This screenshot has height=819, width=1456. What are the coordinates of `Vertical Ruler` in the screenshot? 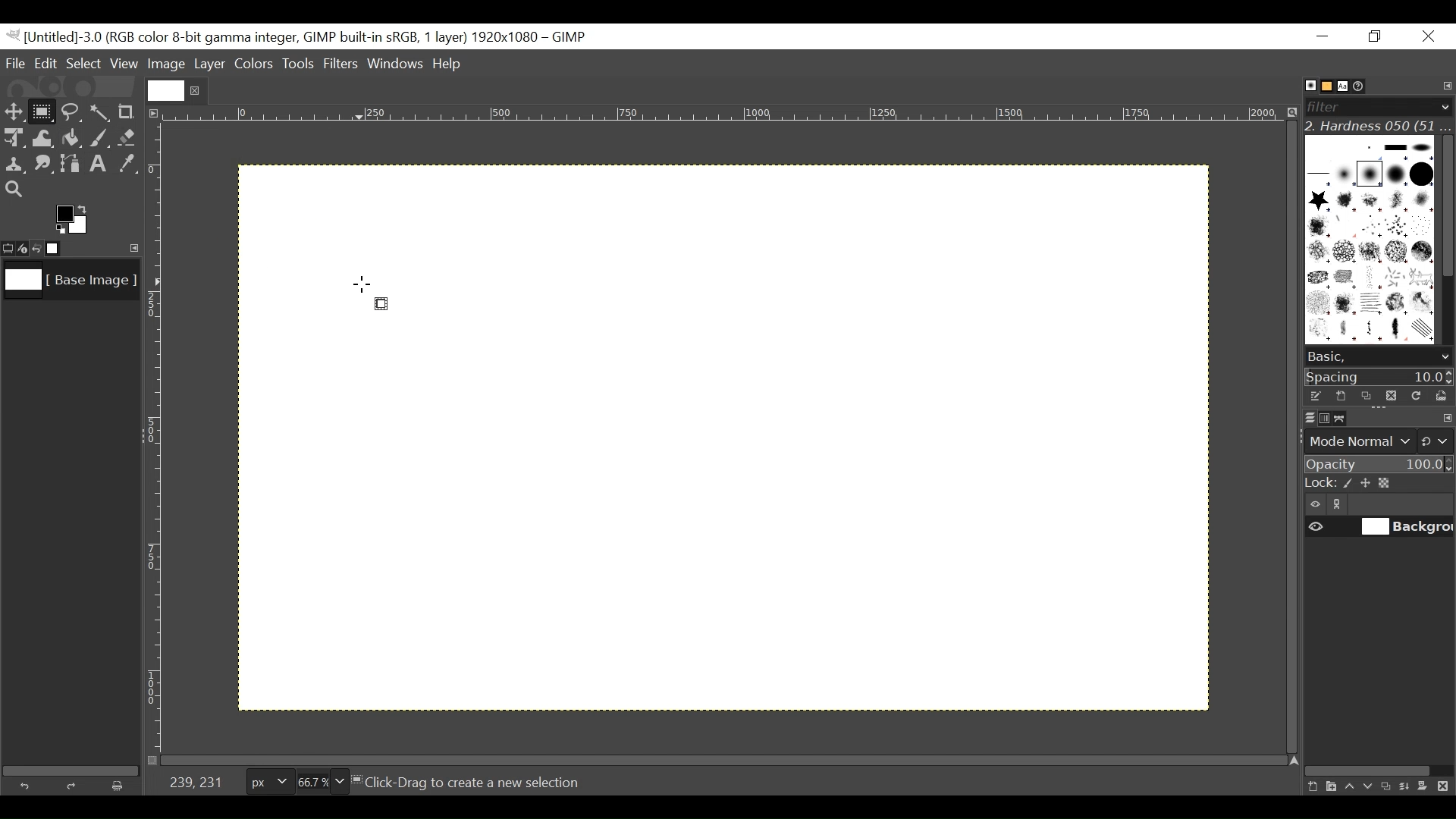 It's located at (155, 438).